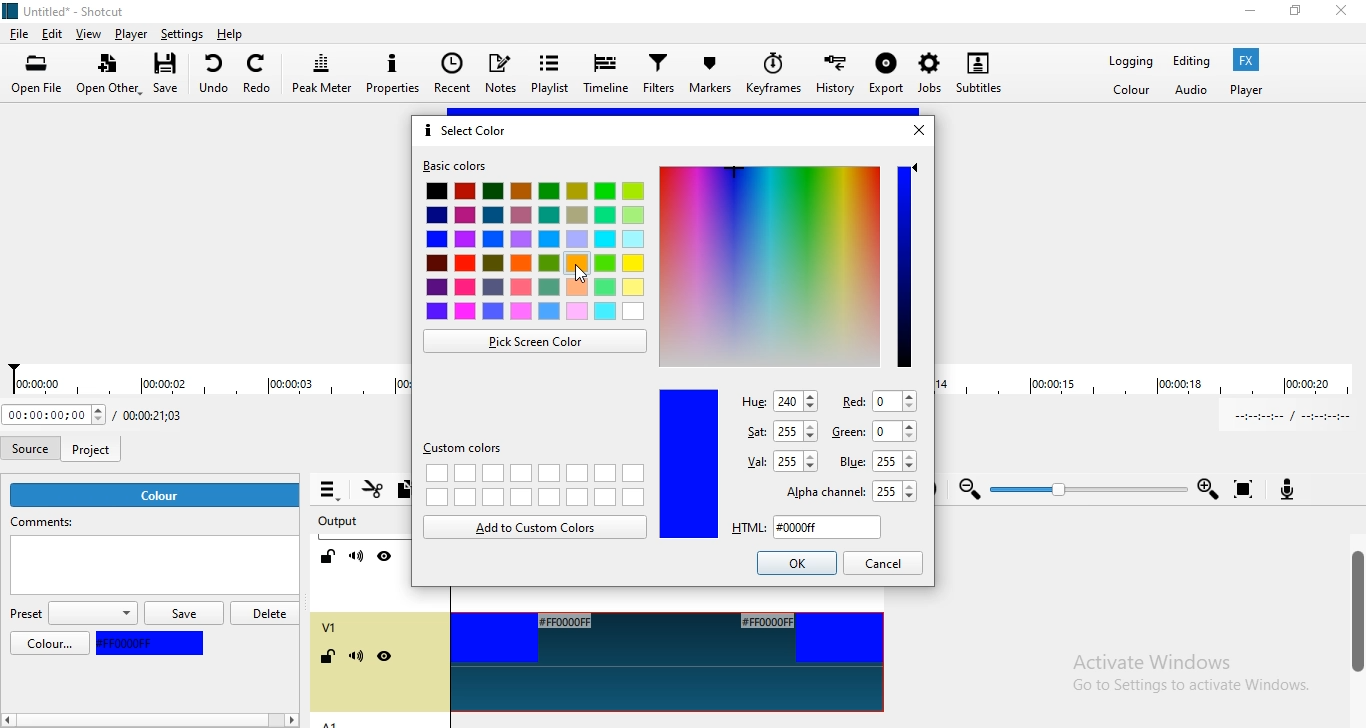 The width and height of the screenshot is (1366, 728). I want to click on project, so click(94, 445).